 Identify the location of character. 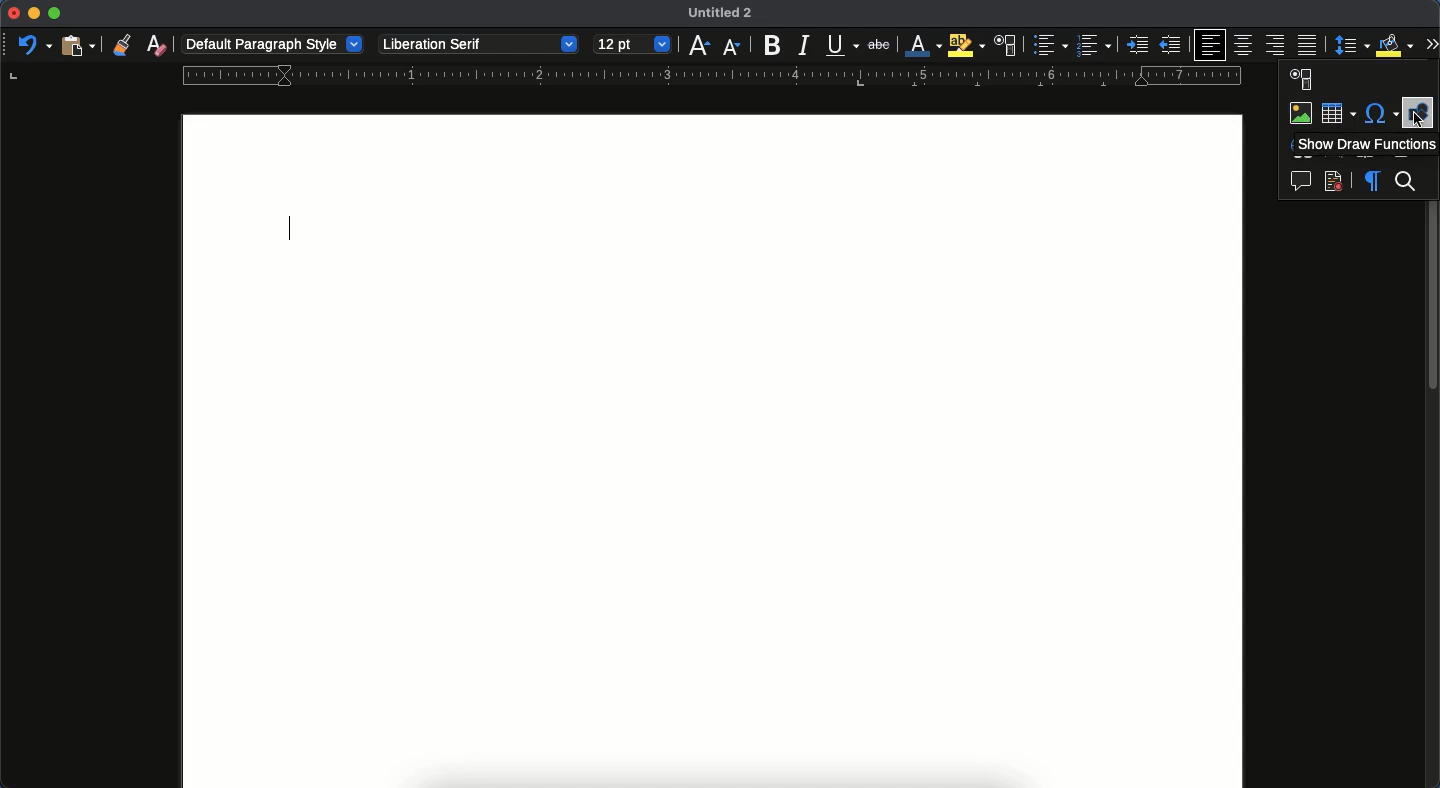
(1302, 80).